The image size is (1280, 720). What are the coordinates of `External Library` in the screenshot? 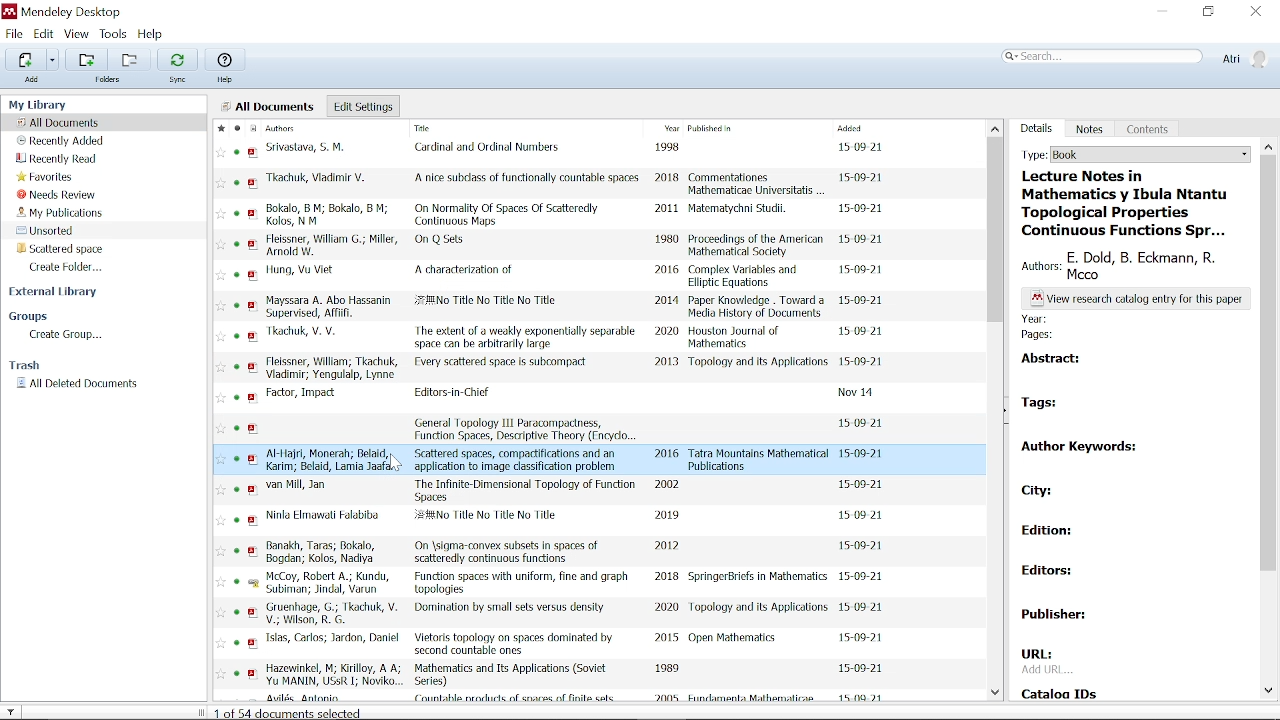 It's located at (56, 293).